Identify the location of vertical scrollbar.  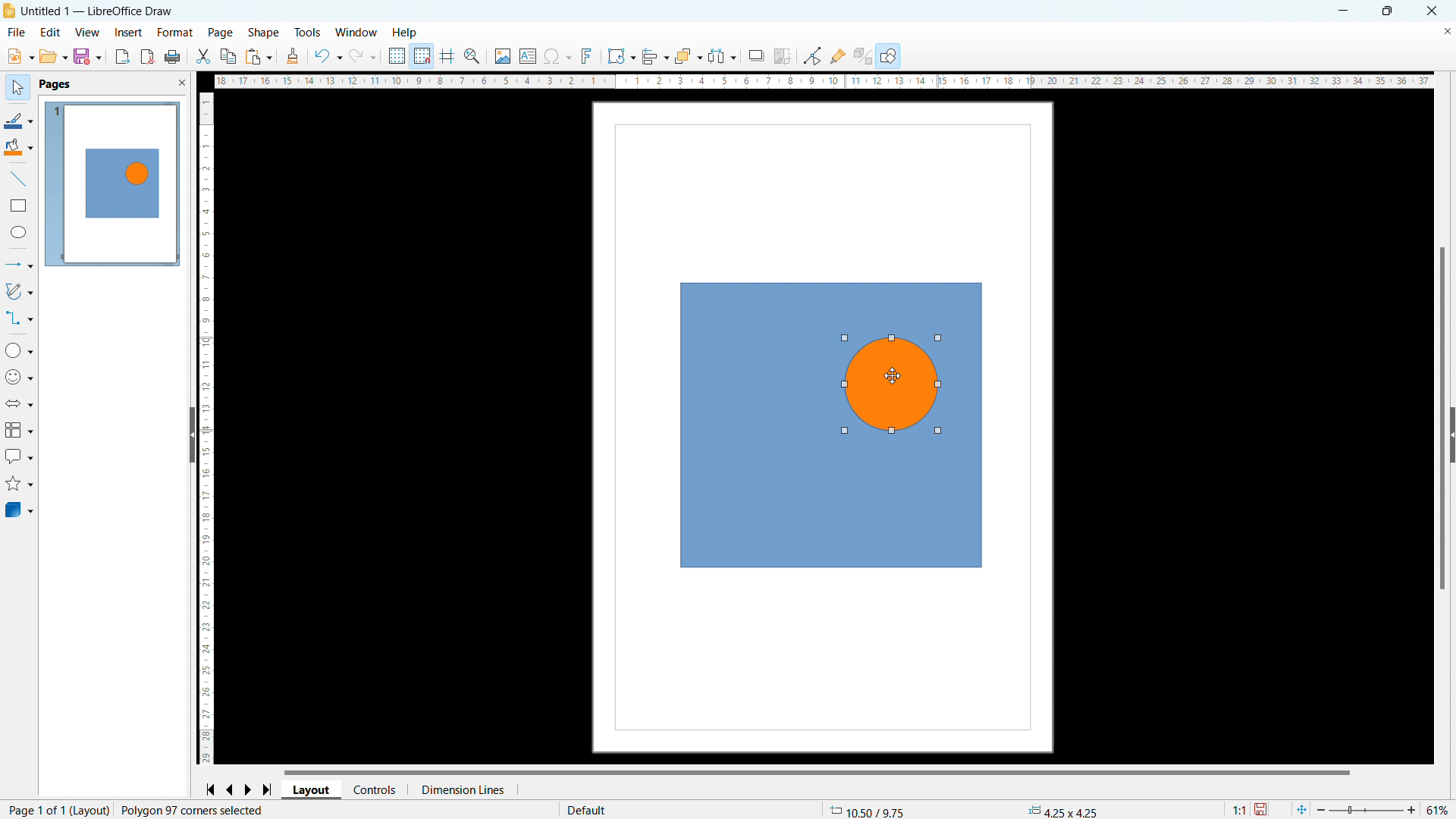
(1442, 419).